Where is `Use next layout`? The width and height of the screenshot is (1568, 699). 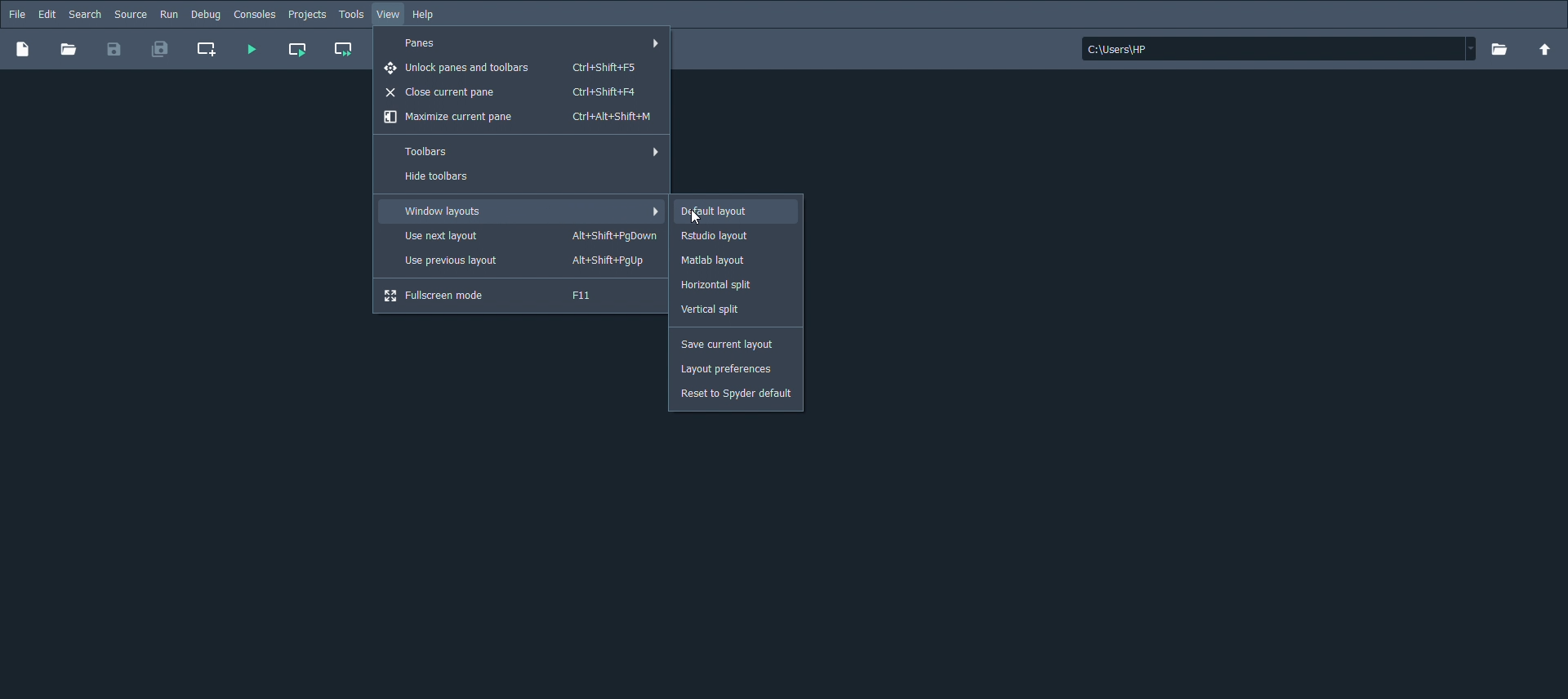 Use next layout is located at coordinates (523, 234).